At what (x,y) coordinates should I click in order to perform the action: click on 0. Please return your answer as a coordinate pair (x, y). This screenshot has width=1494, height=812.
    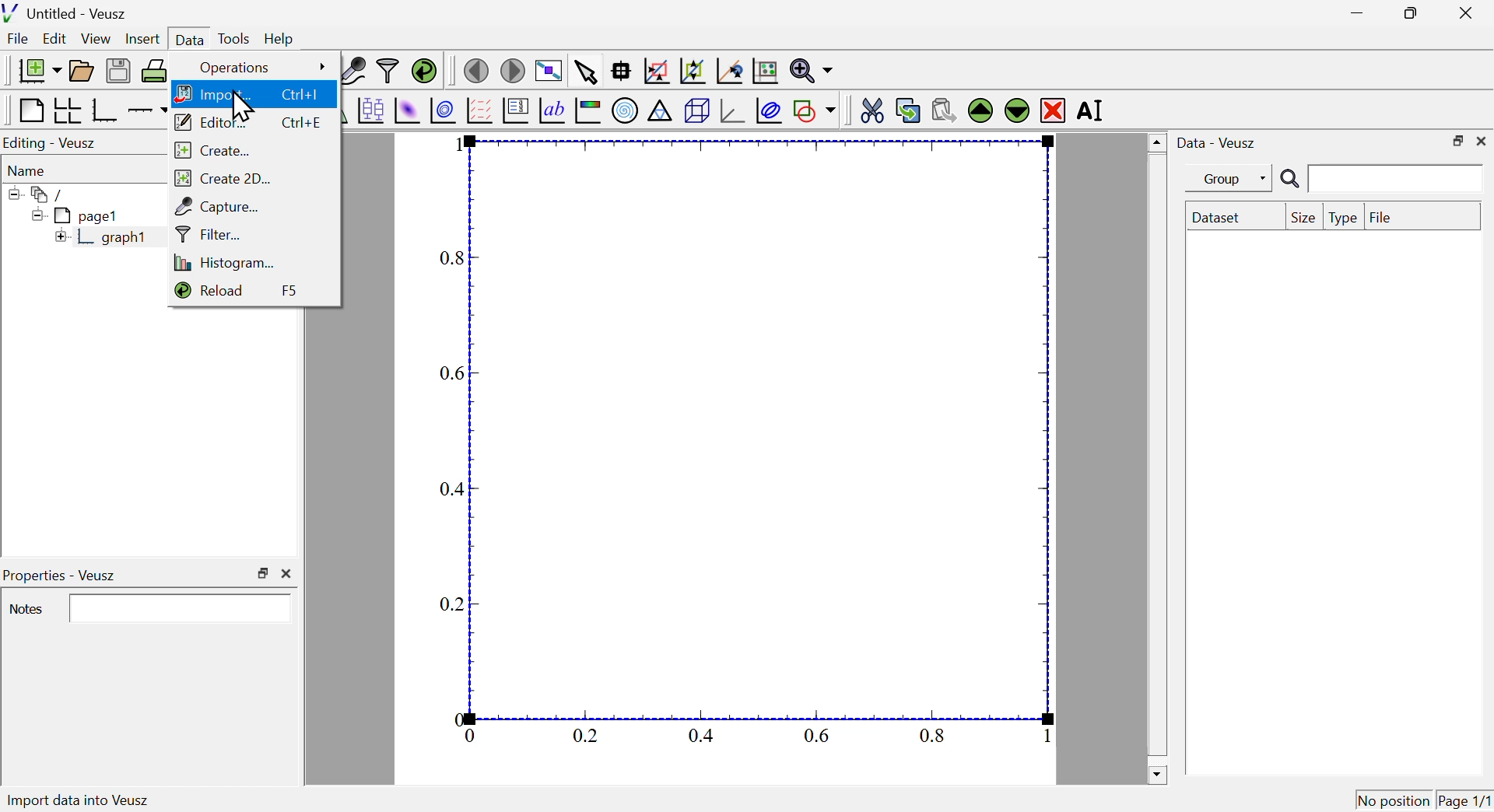
    Looking at the image, I should click on (457, 717).